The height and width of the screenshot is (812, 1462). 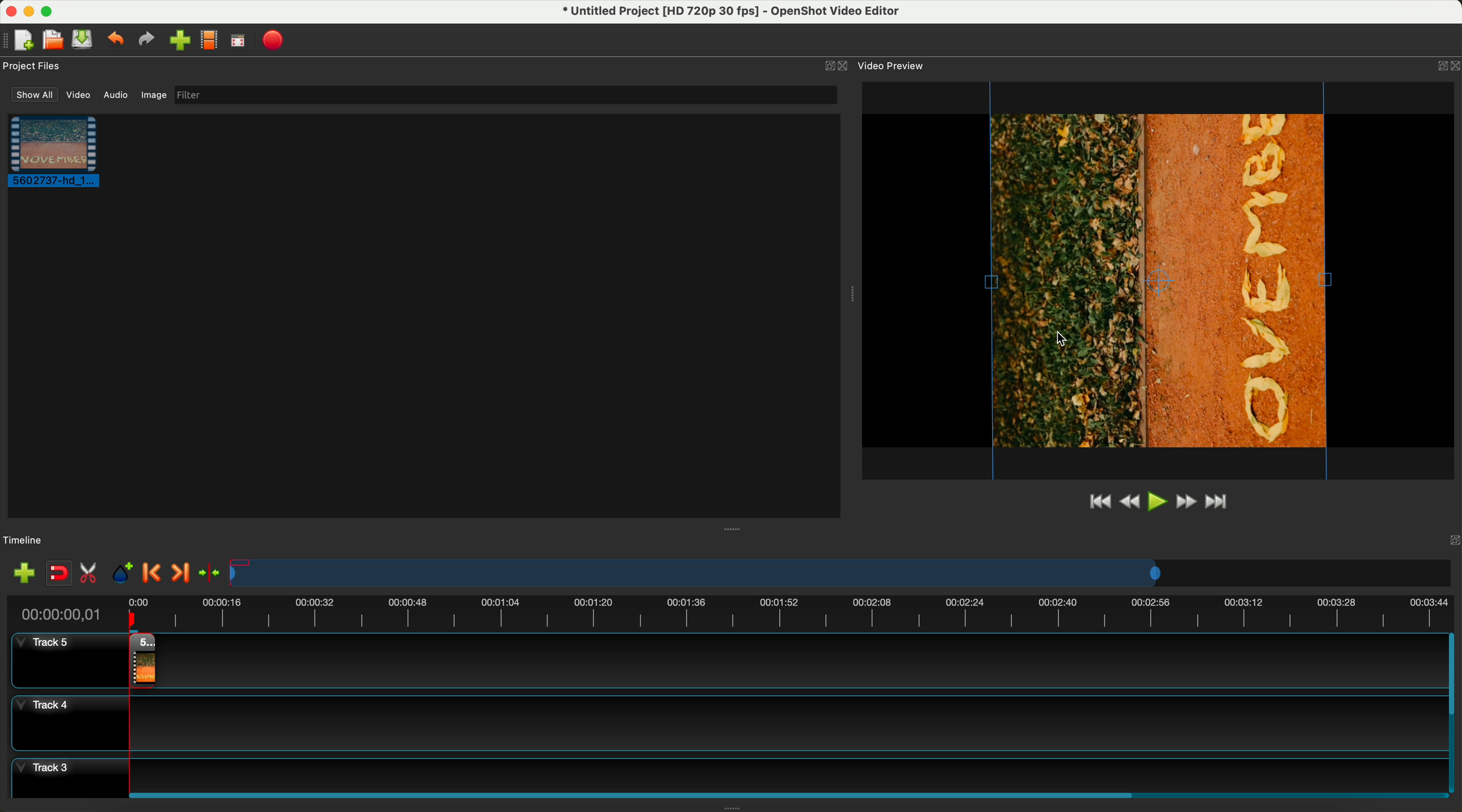 I want to click on rewind, so click(x=1128, y=504).